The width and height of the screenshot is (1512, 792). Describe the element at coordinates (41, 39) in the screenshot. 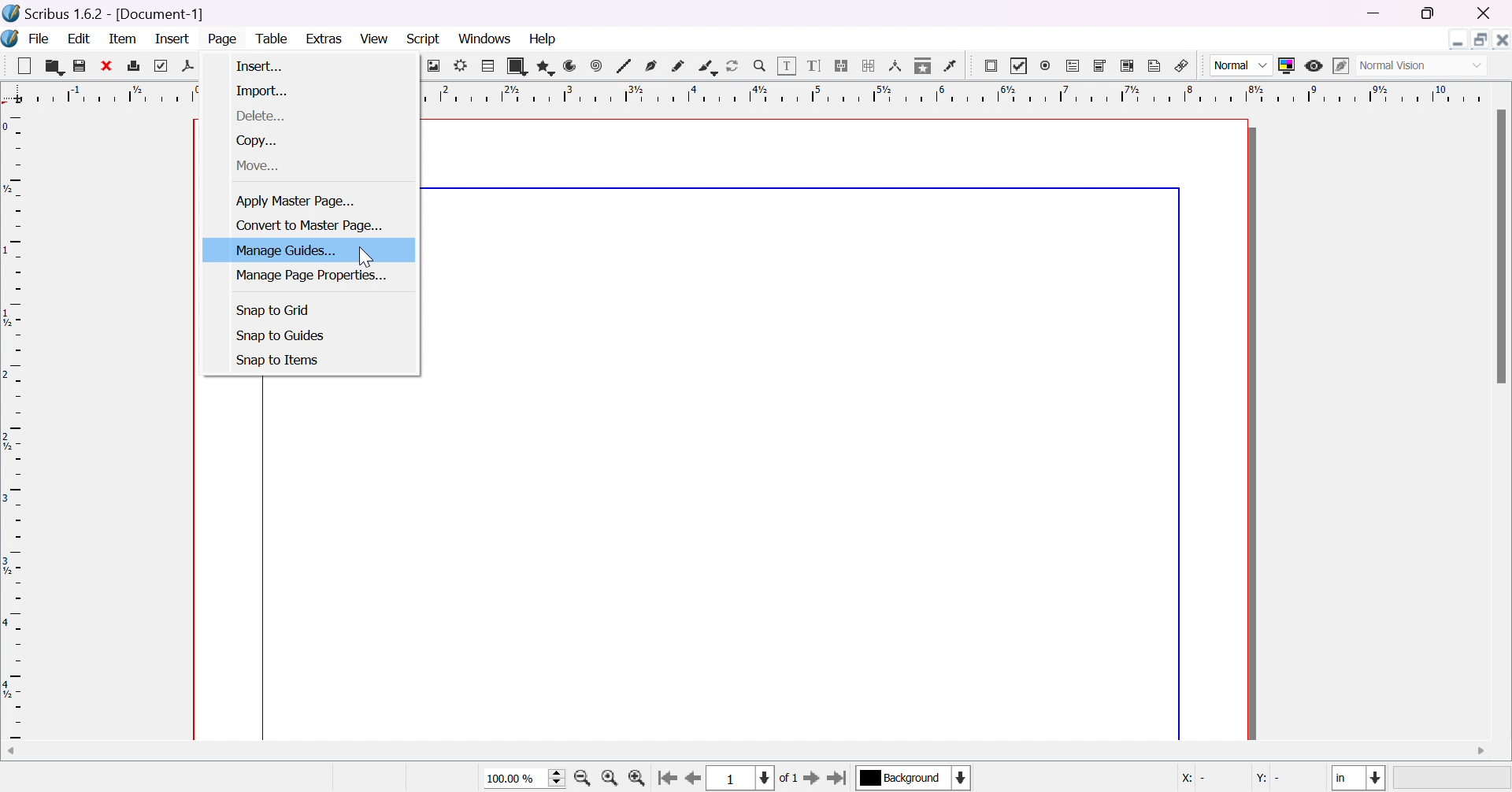

I see `file` at that location.